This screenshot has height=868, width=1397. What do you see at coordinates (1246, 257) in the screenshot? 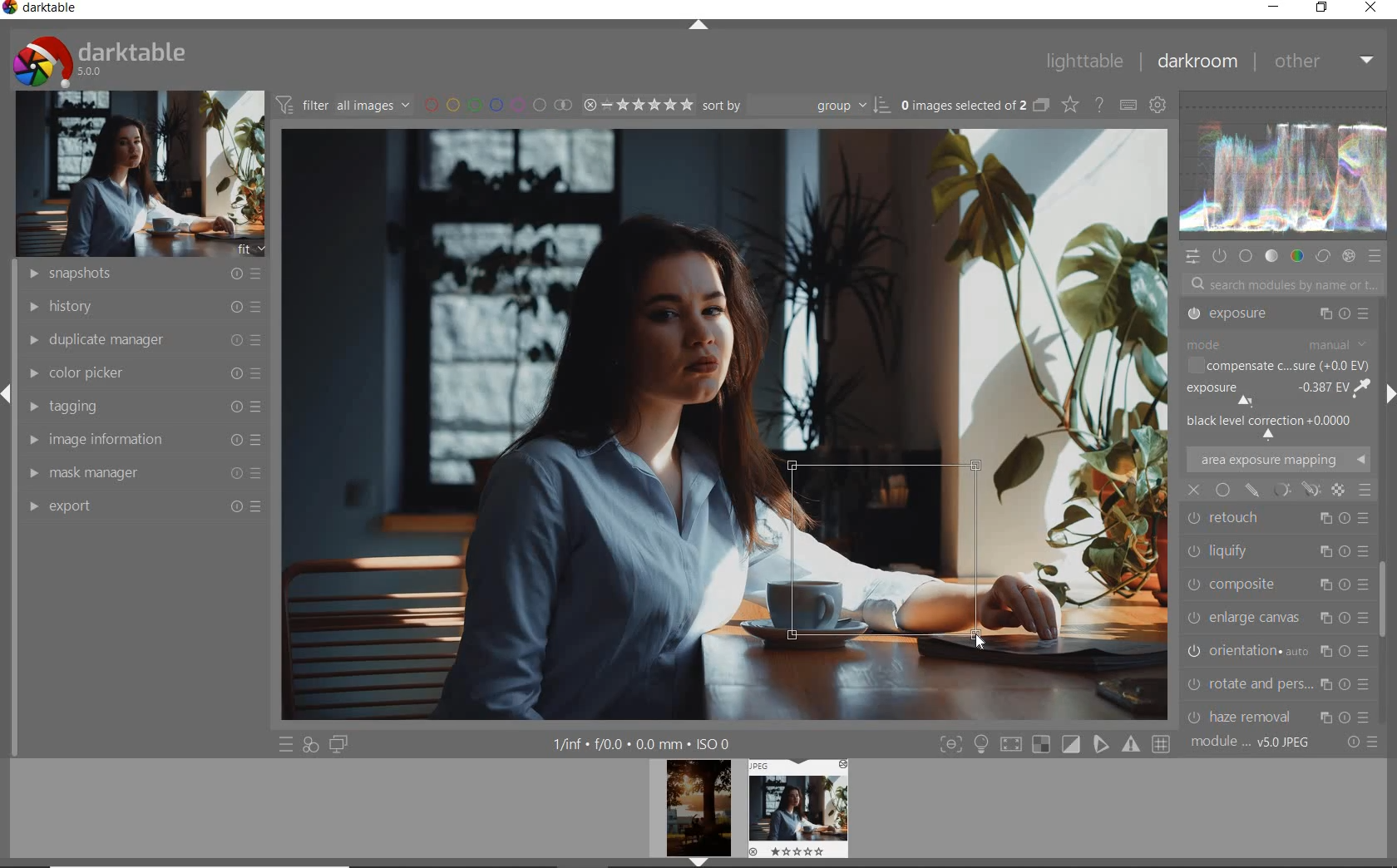
I see `BASE` at bounding box center [1246, 257].